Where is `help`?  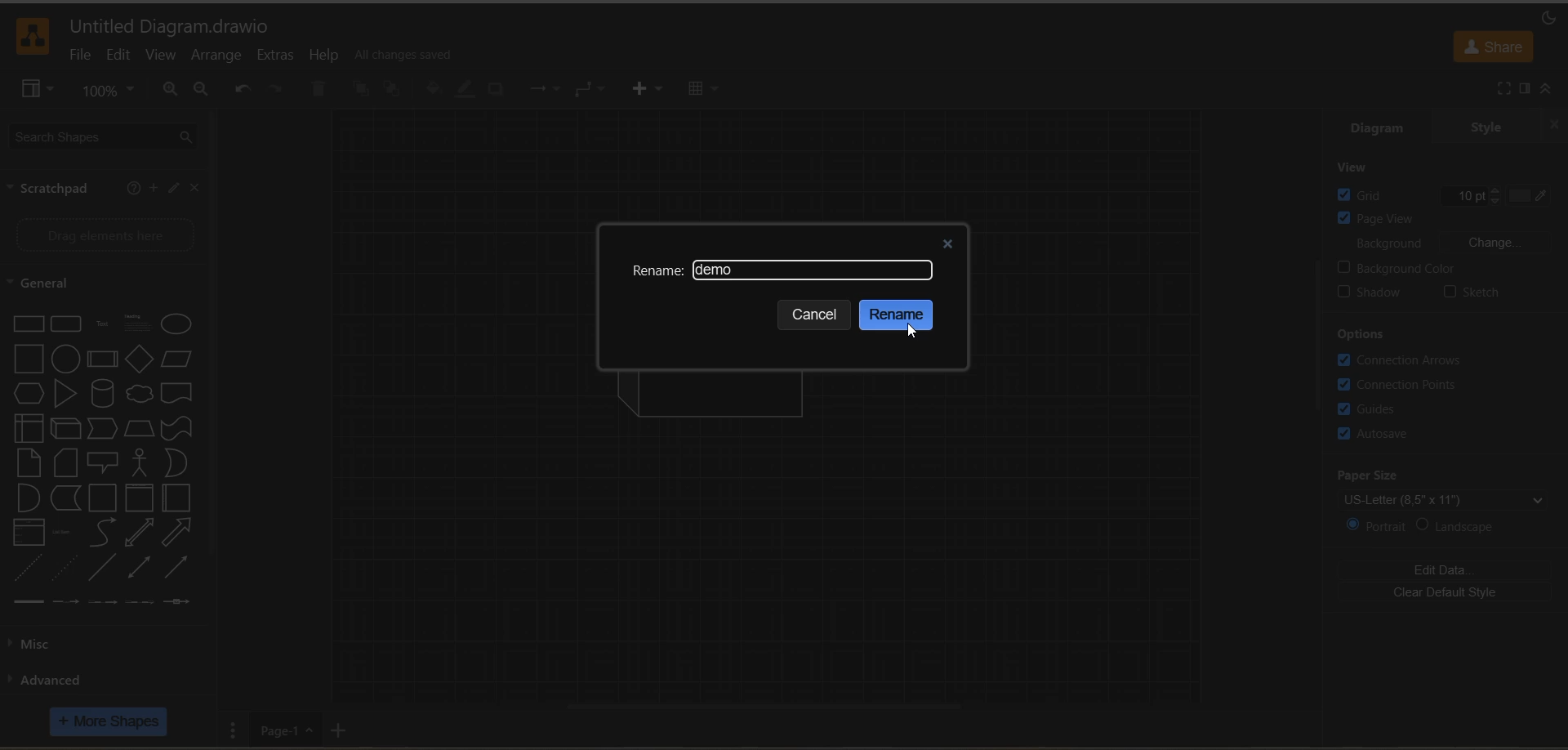 help is located at coordinates (133, 190).